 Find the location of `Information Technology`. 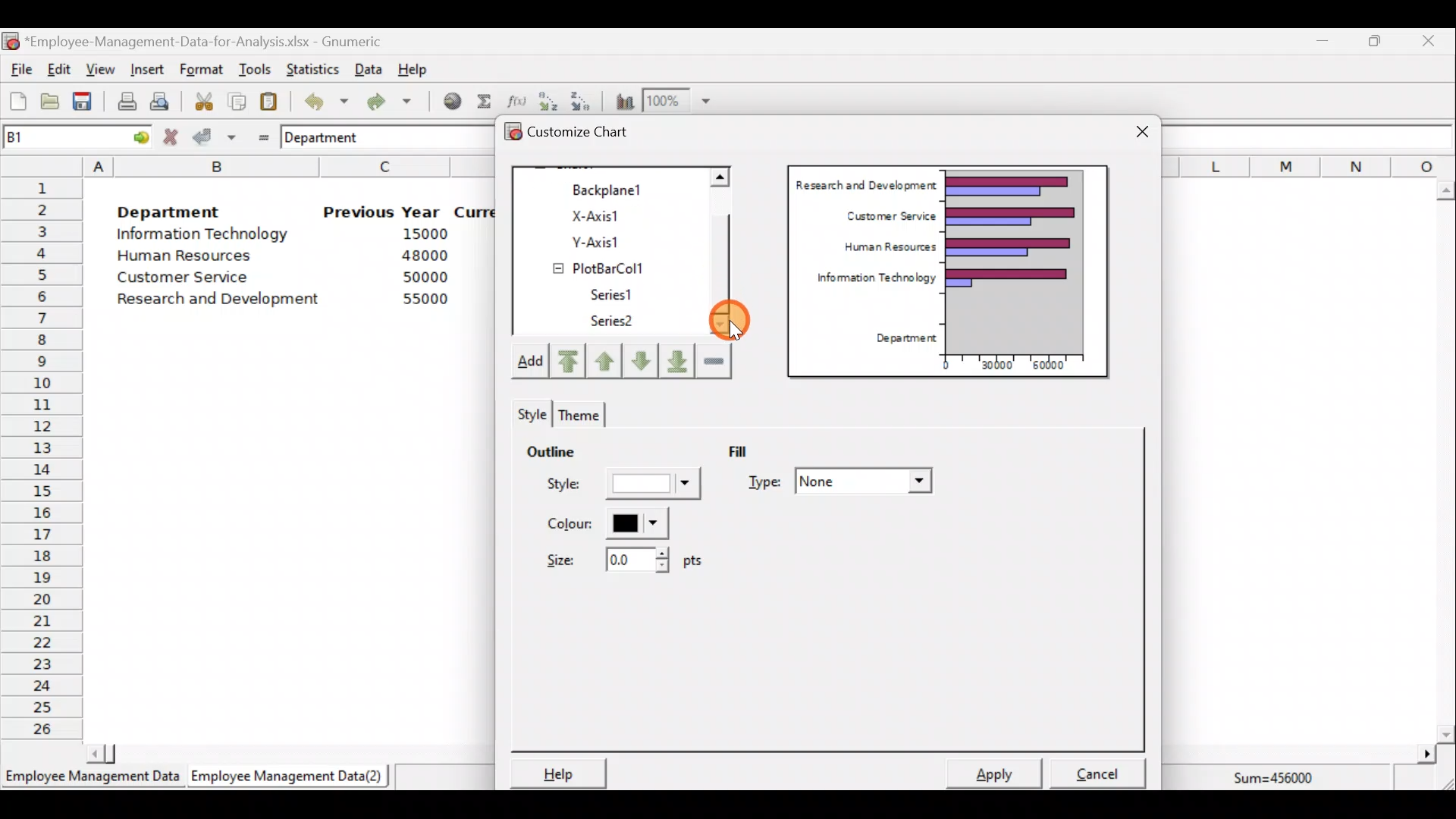

Information Technology is located at coordinates (869, 281).